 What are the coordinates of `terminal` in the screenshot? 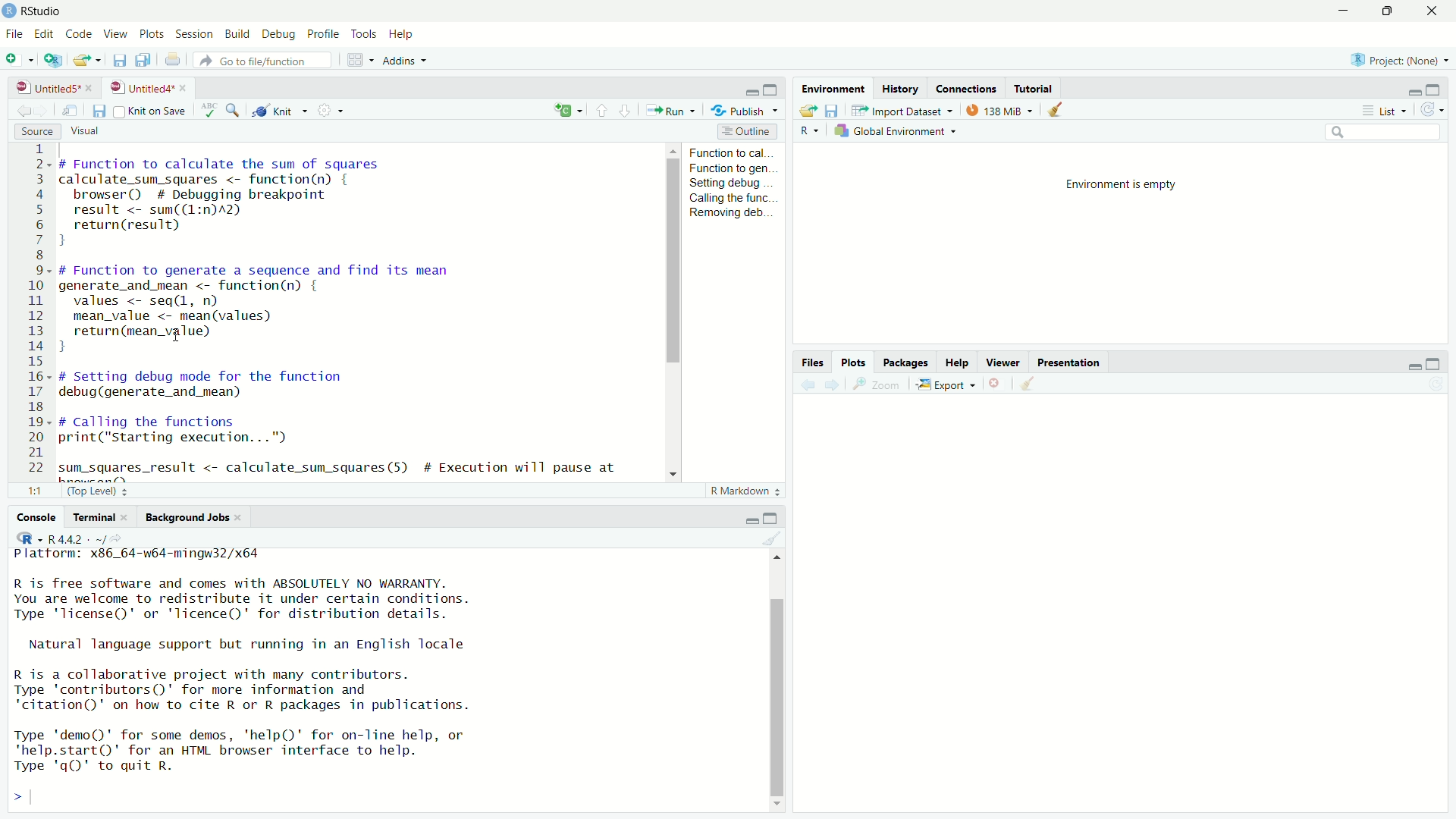 It's located at (90, 516).